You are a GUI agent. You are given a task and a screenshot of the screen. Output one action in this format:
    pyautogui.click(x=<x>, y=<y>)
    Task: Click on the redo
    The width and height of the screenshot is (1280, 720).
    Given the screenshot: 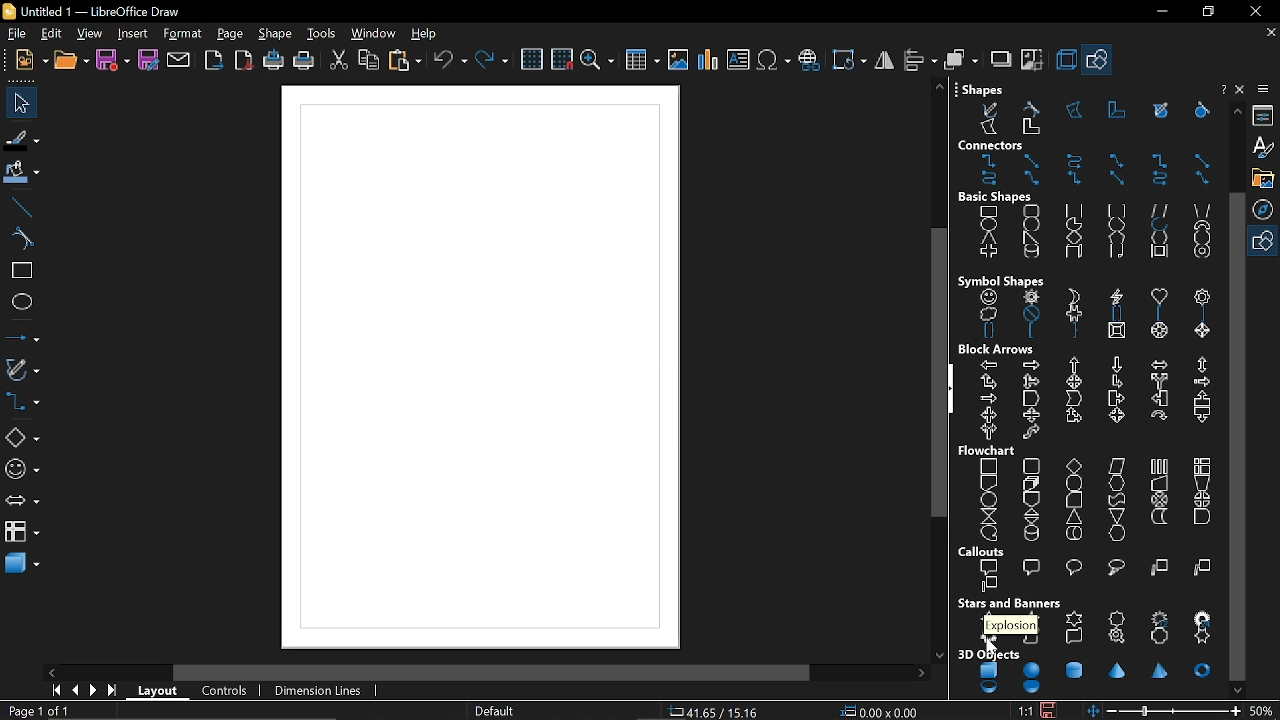 What is the action you would take?
    pyautogui.click(x=492, y=62)
    